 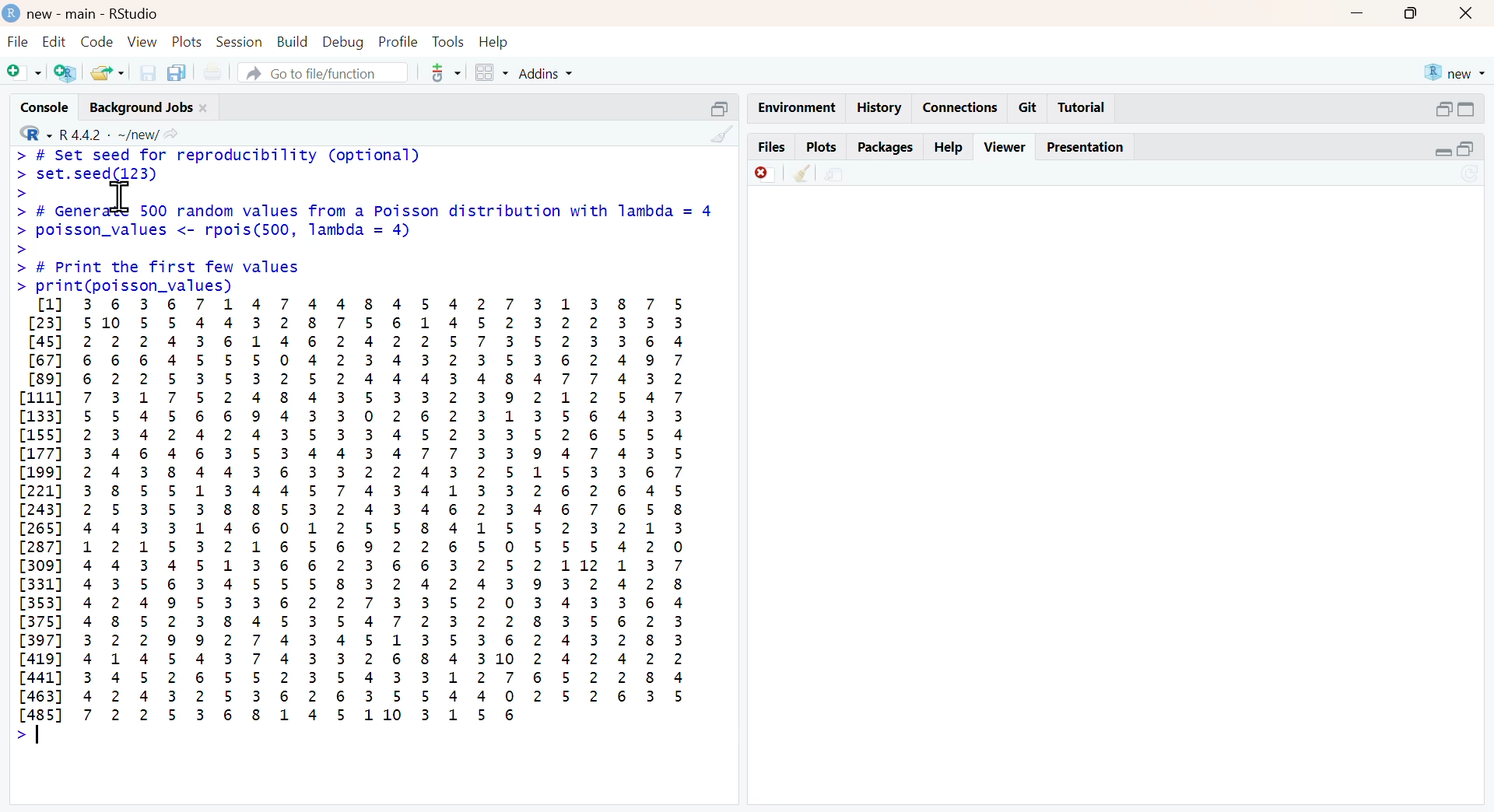 I want to click on copy, so click(x=177, y=72).